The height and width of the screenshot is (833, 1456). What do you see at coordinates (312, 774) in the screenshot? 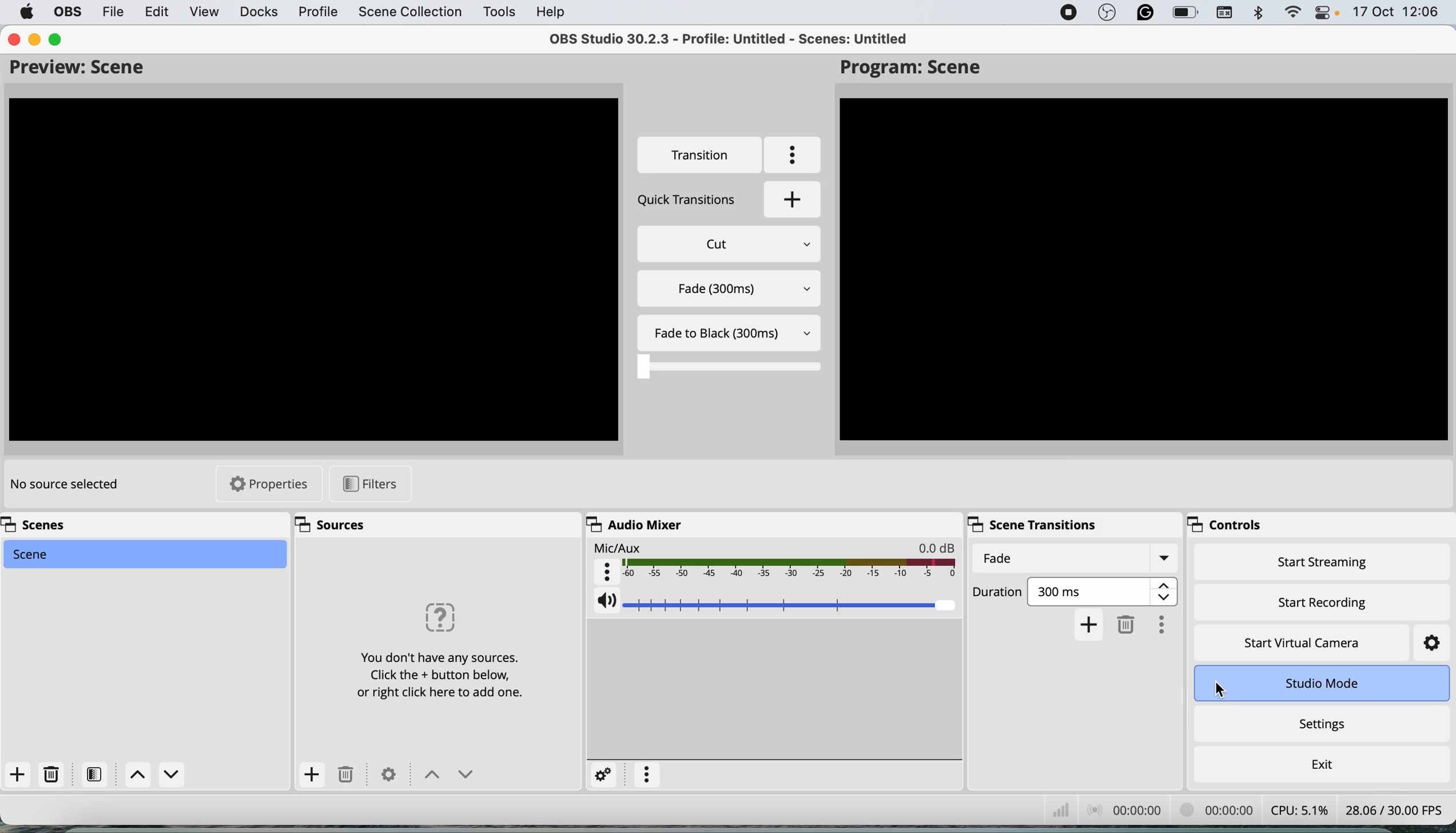
I see `add sources` at bounding box center [312, 774].